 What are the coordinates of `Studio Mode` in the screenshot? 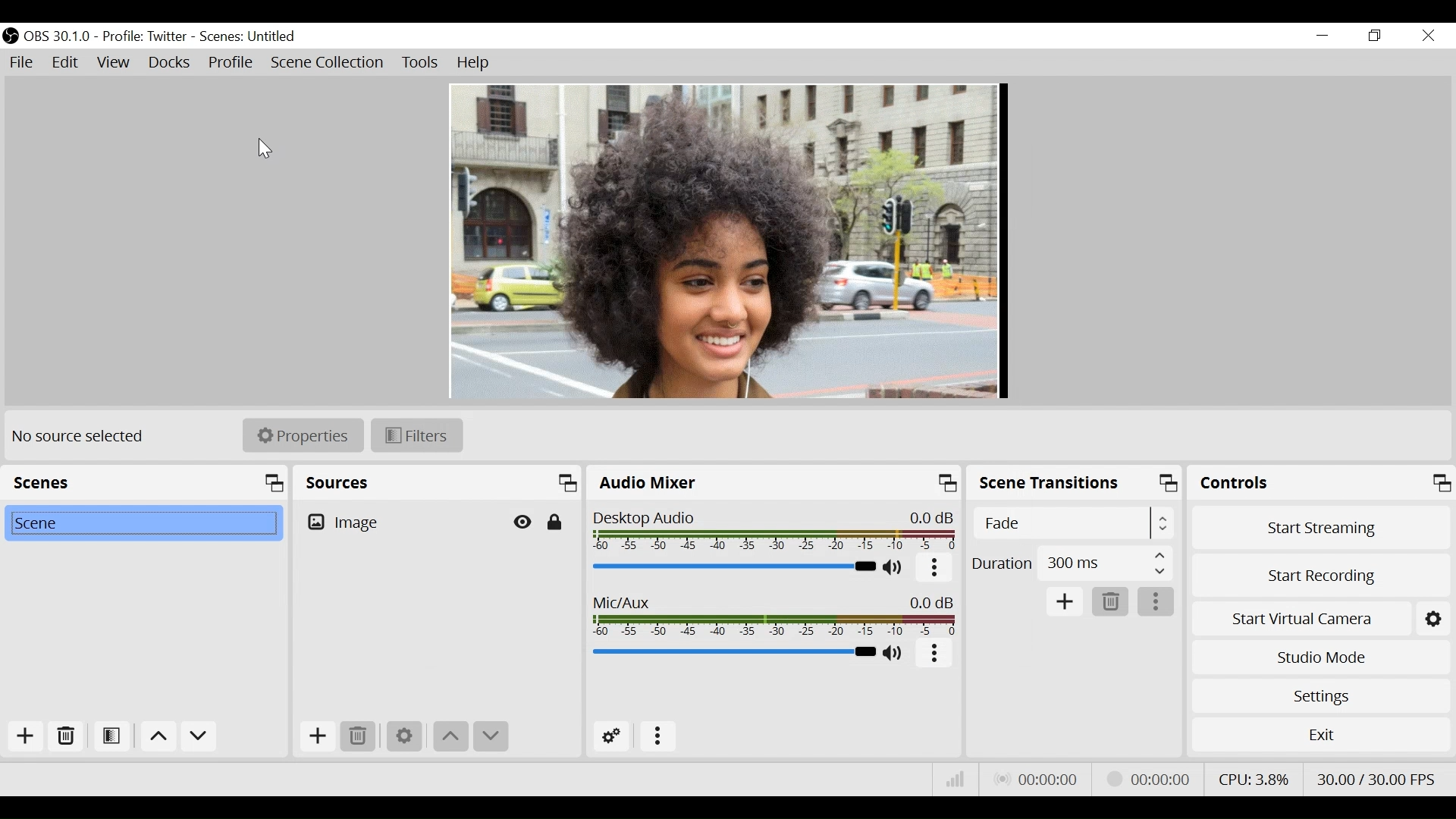 It's located at (1318, 659).